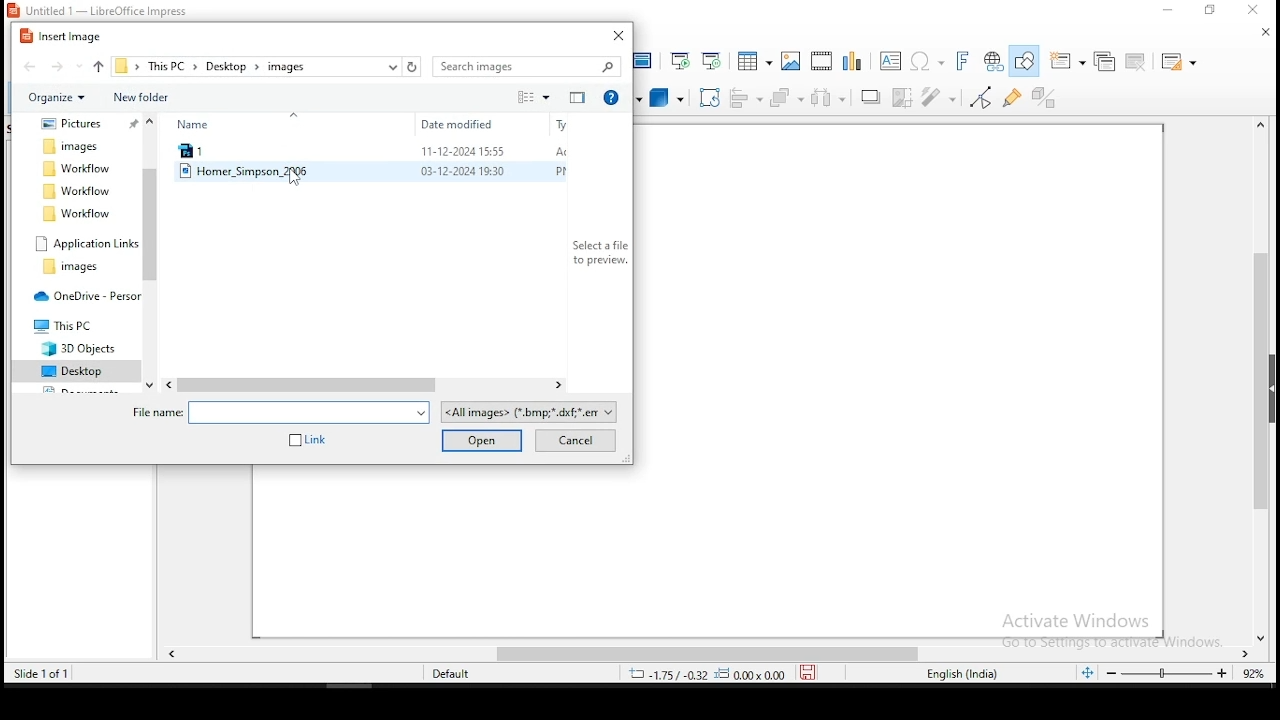  What do you see at coordinates (705, 674) in the screenshot?
I see `-1.75/0.32 0.00x0.00` at bounding box center [705, 674].